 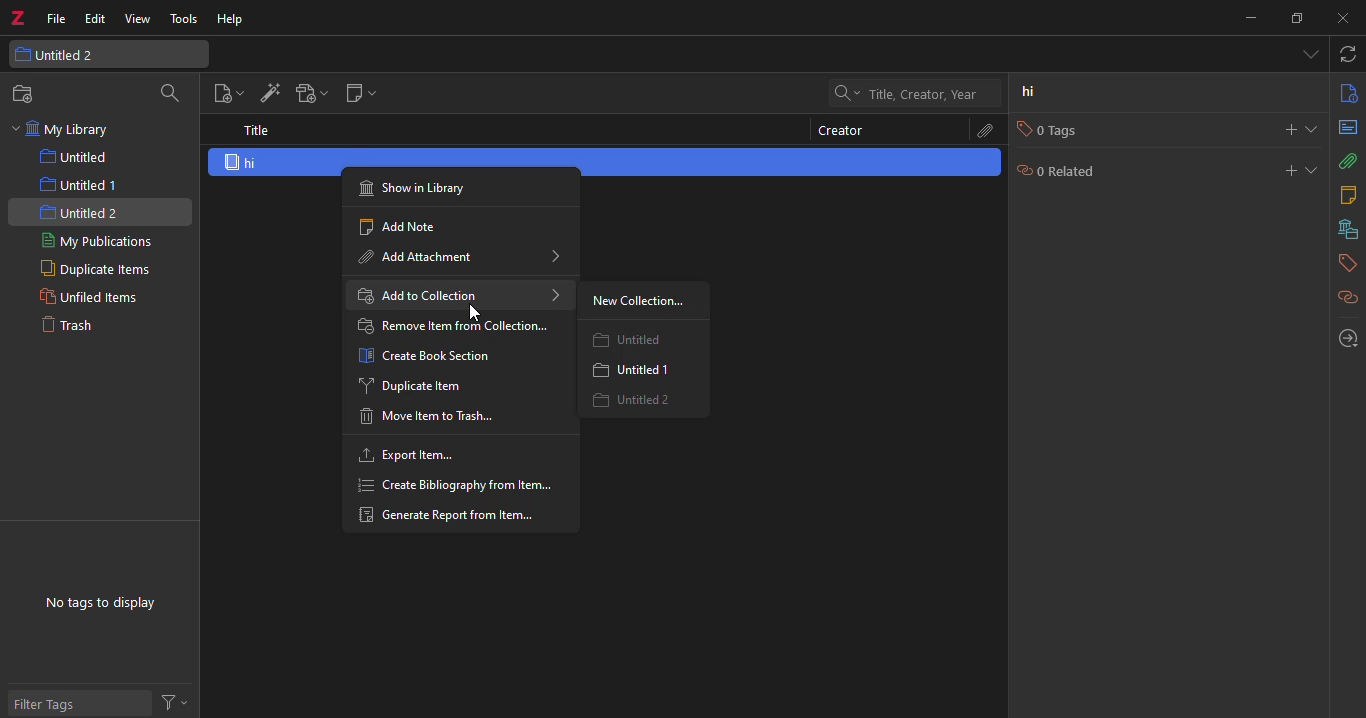 What do you see at coordinates (473, 312) in the screenshot?
I see `cursor` at bounding box center [473, 312].